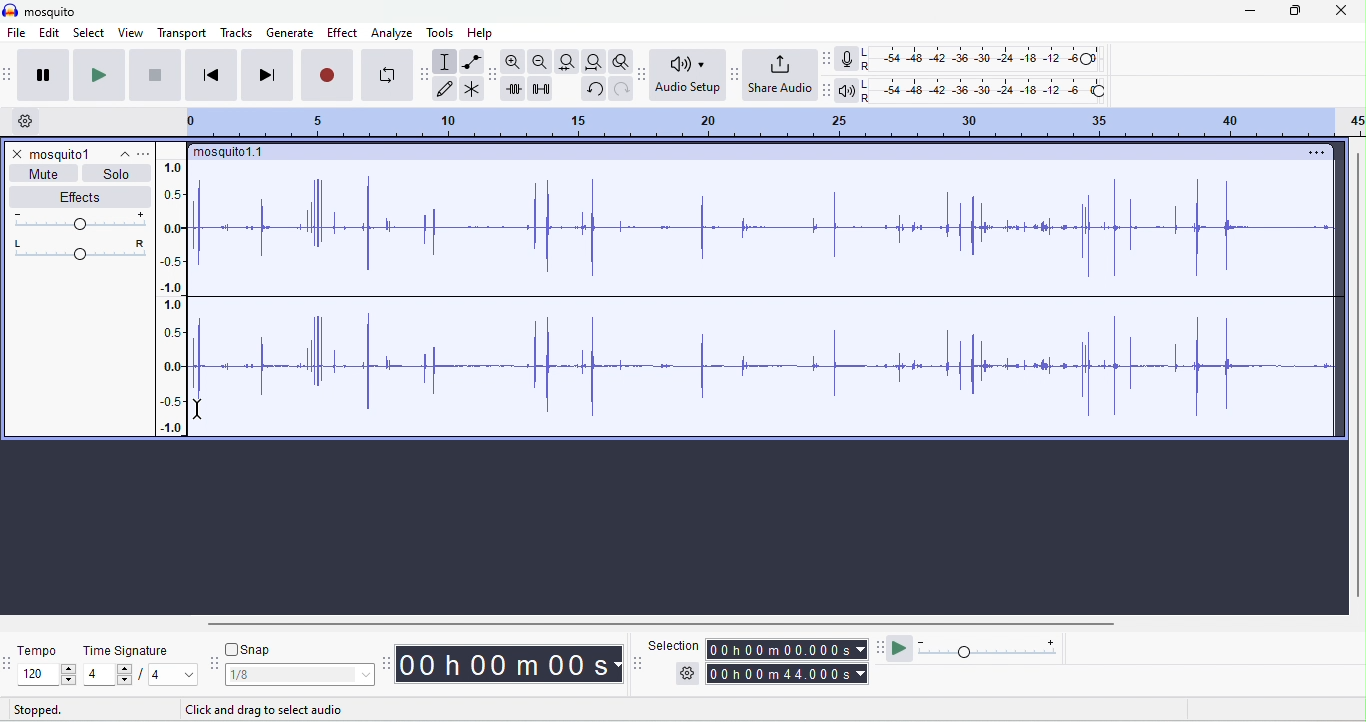 Image resolution: width=1366 pixels, height=722 pixels. Describe the element at coordinates (443, 62) in the screenshot. I see `selection` at that location.